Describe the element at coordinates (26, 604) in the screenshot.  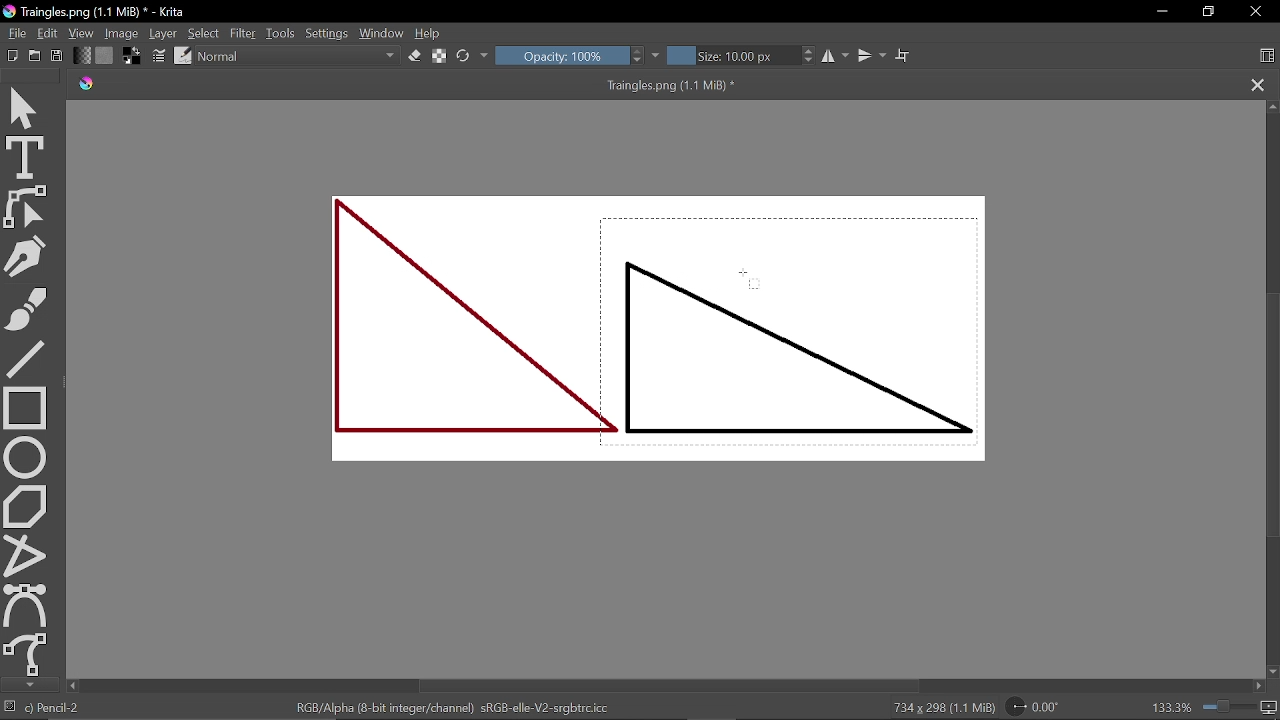
I see `Bezier curve tool` at that location.